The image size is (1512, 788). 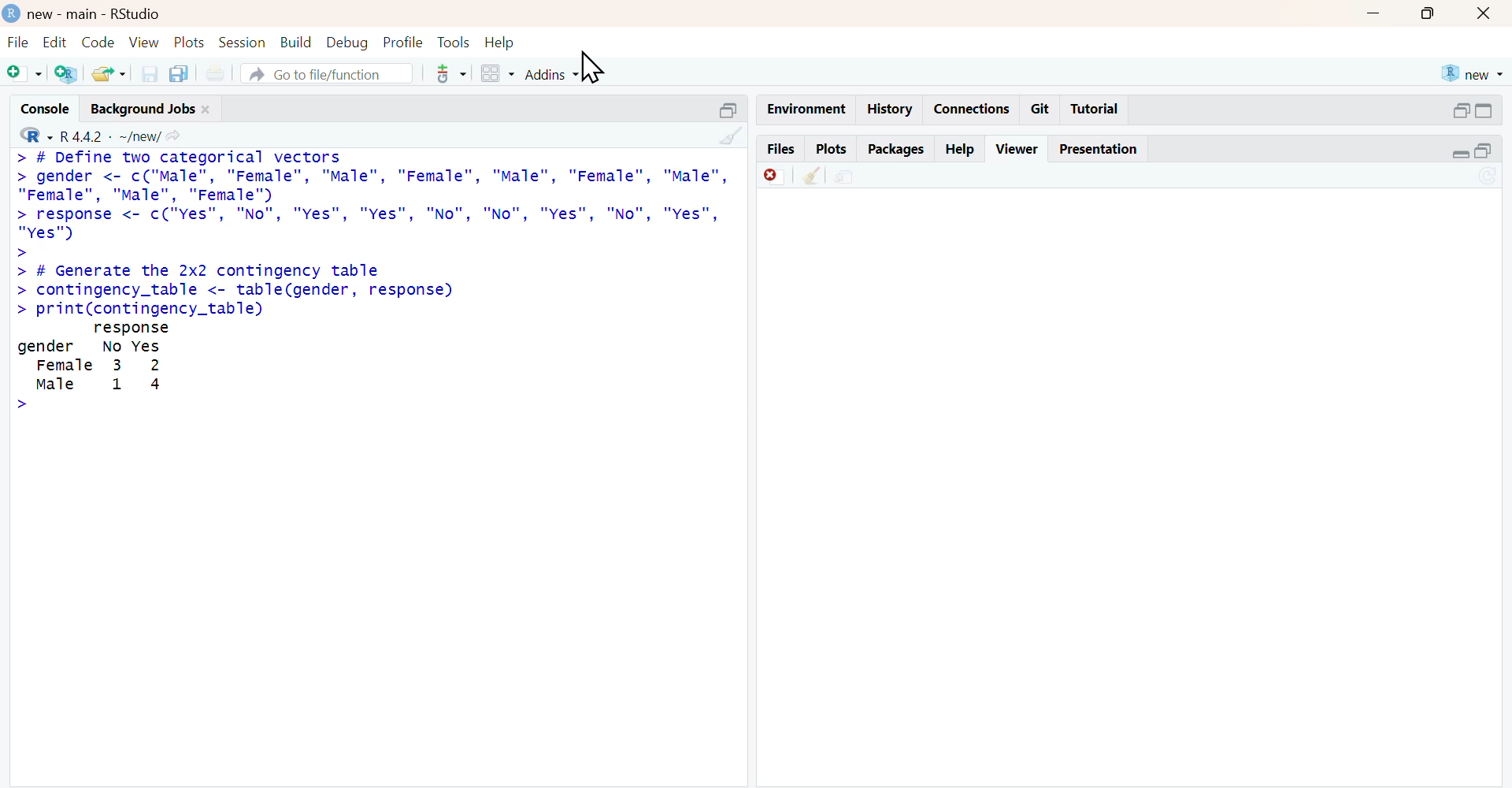 What do you see at coordinates (552, 75) in the screenshot?
I see `addins` at bounding box center [552, 75].